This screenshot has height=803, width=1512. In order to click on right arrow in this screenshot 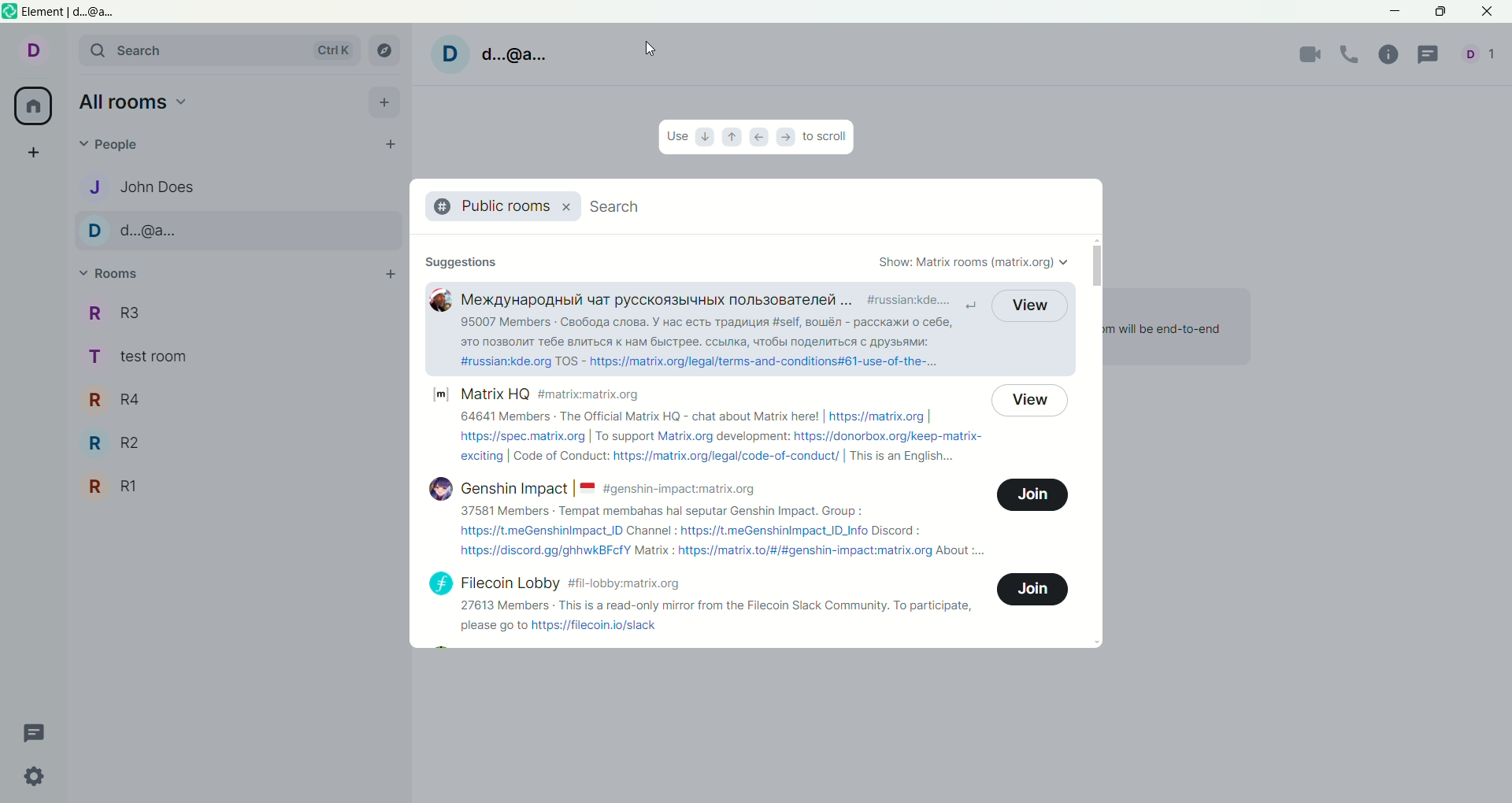, I will do `click(788, 137)`.